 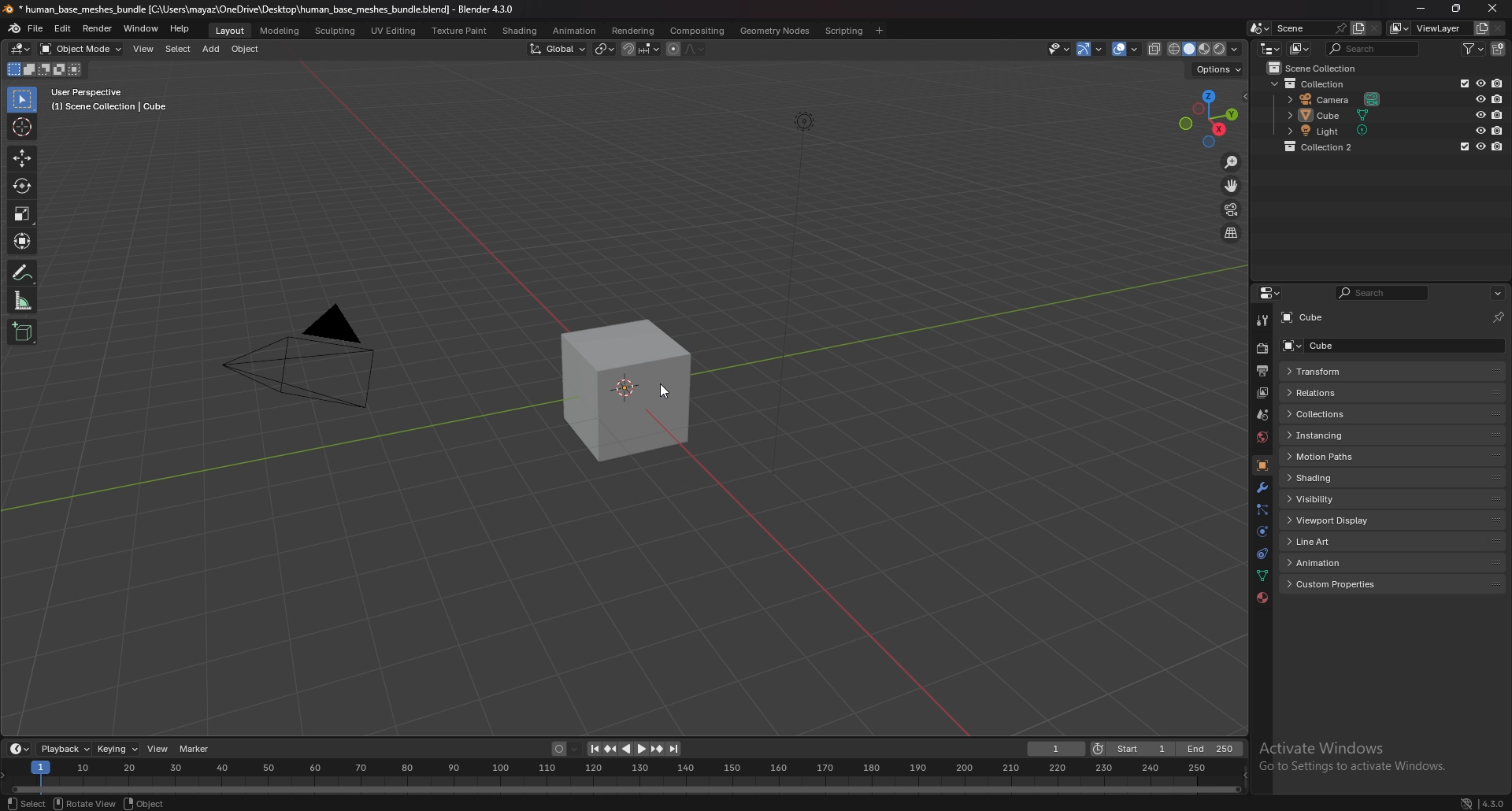 What do you see at coordinates (1155, 49) in the screenshot?
I see `toggle xray` at bounding box center [1155, 49].